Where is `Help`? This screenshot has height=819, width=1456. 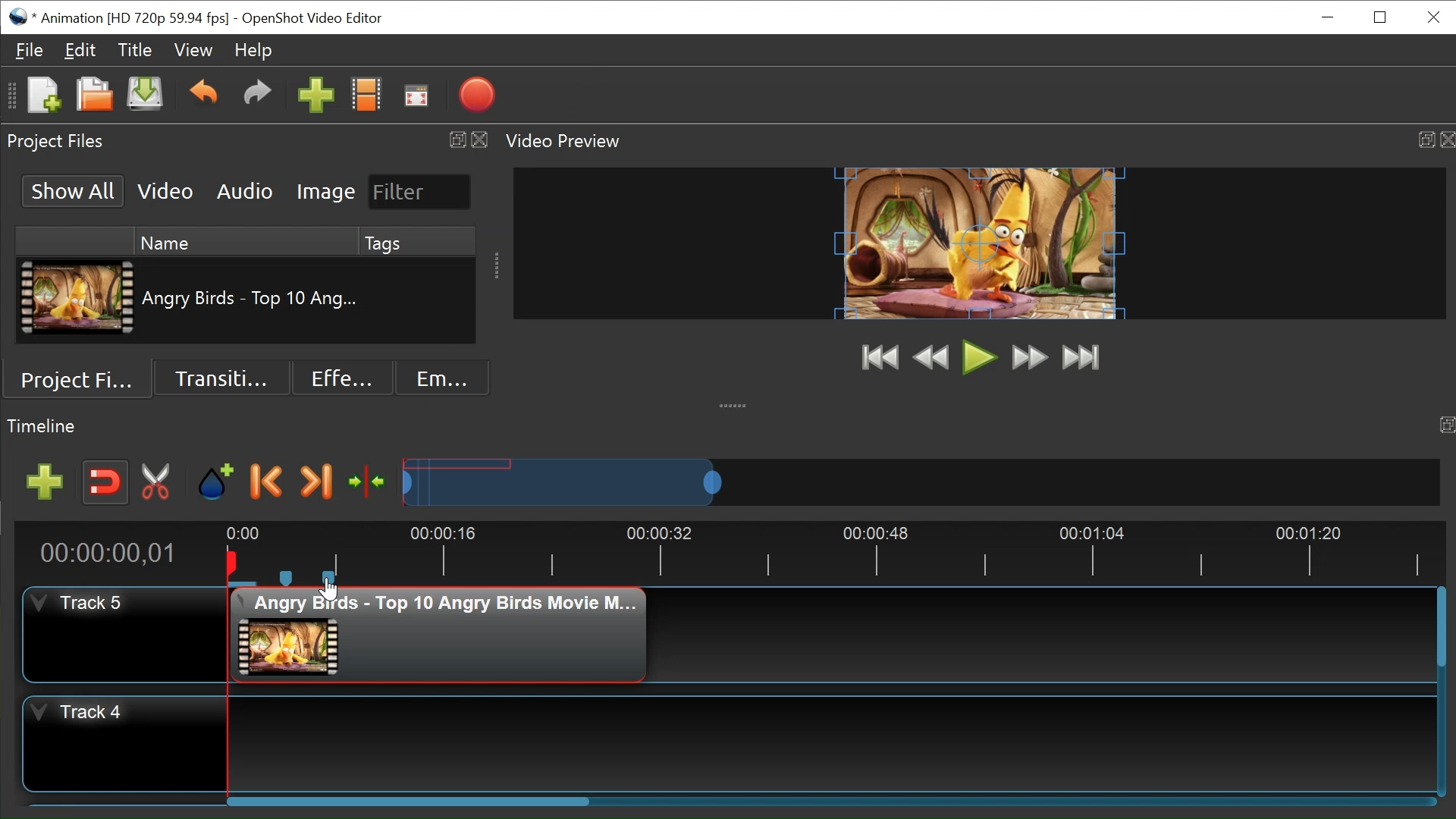 Help is located at coordinates (253, 52).